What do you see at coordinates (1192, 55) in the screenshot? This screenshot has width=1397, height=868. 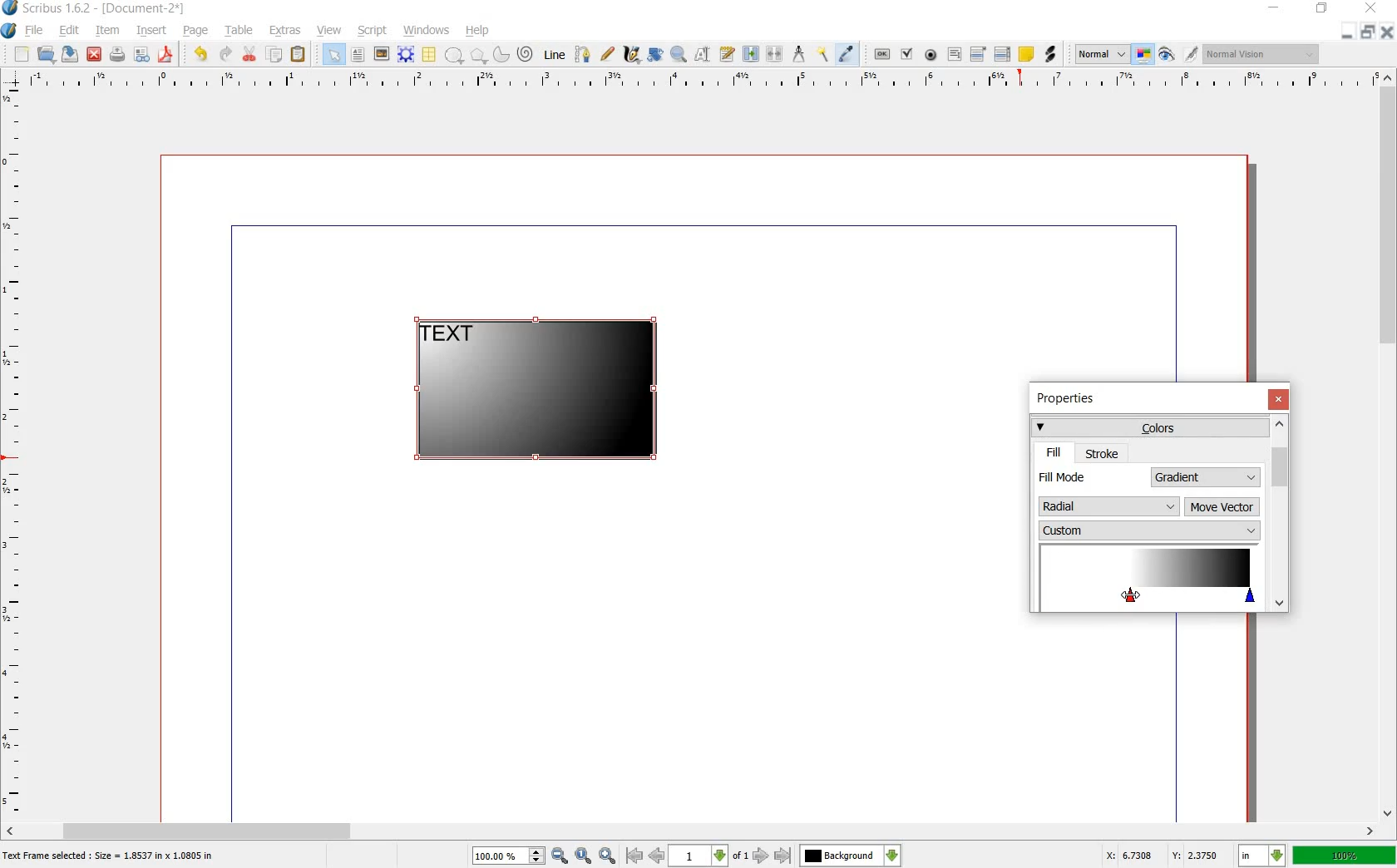 I see `edit in preview mode` at bounding box center [1192, 55].